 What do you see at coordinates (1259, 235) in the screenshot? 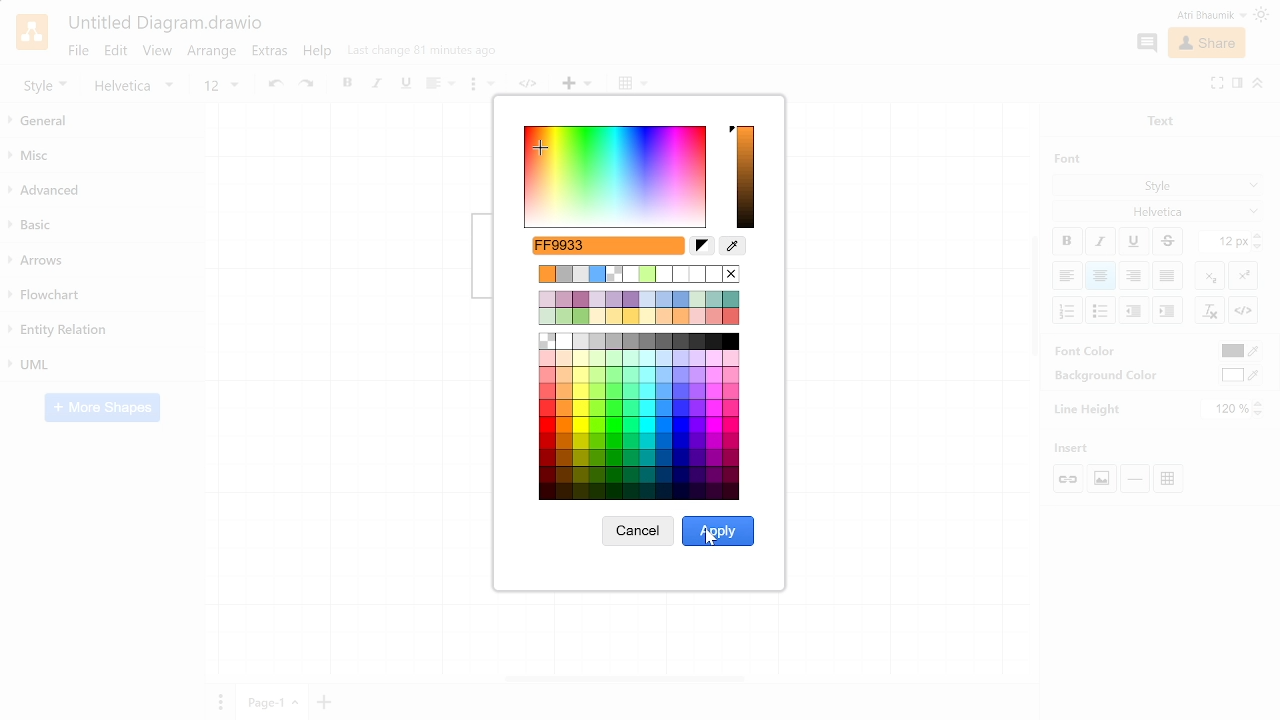
I see `Increase font size` at bounding box center [1259, 235].